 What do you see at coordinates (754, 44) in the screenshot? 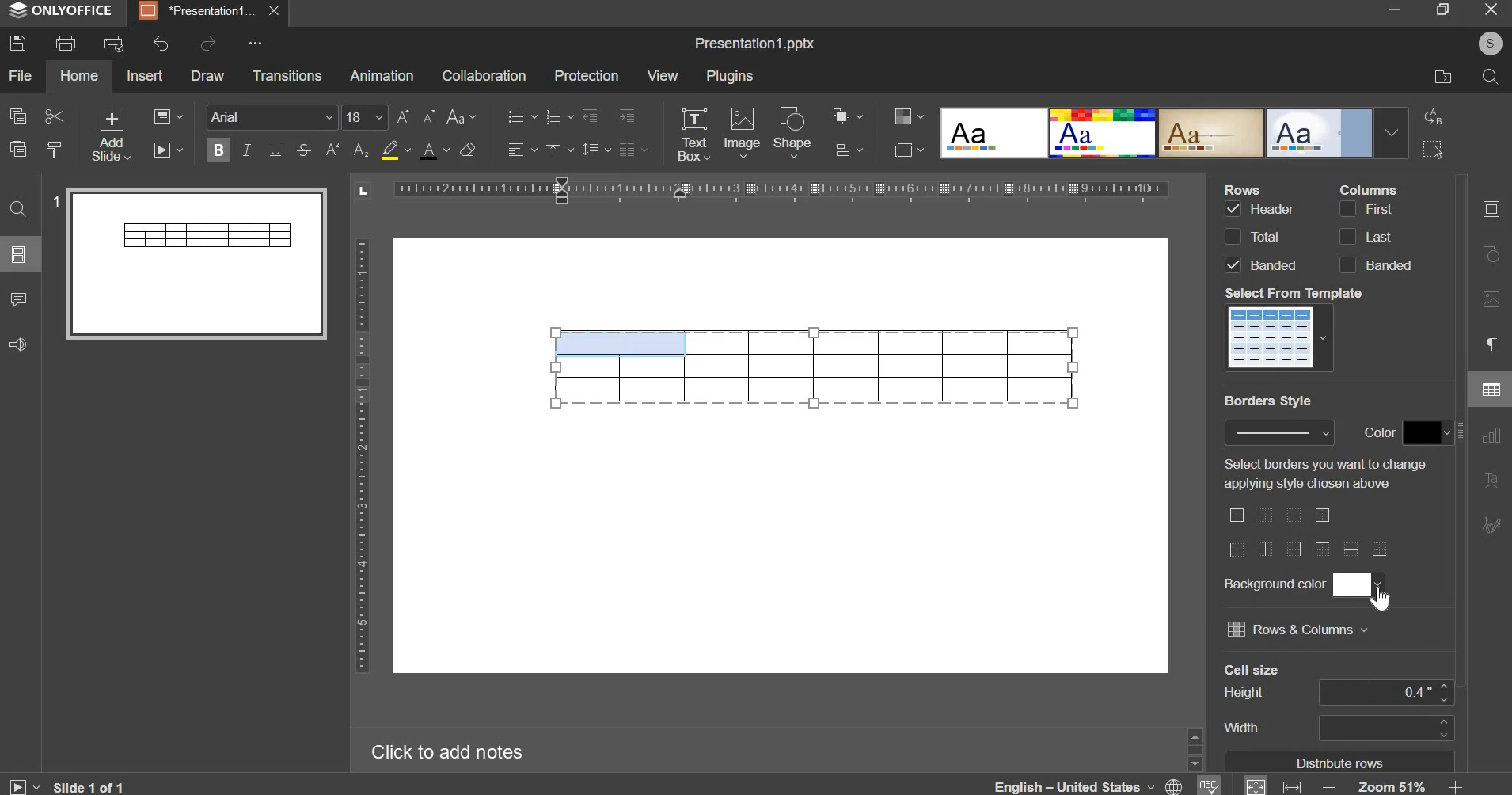
I see `Title` at bounding box center [754, 44].